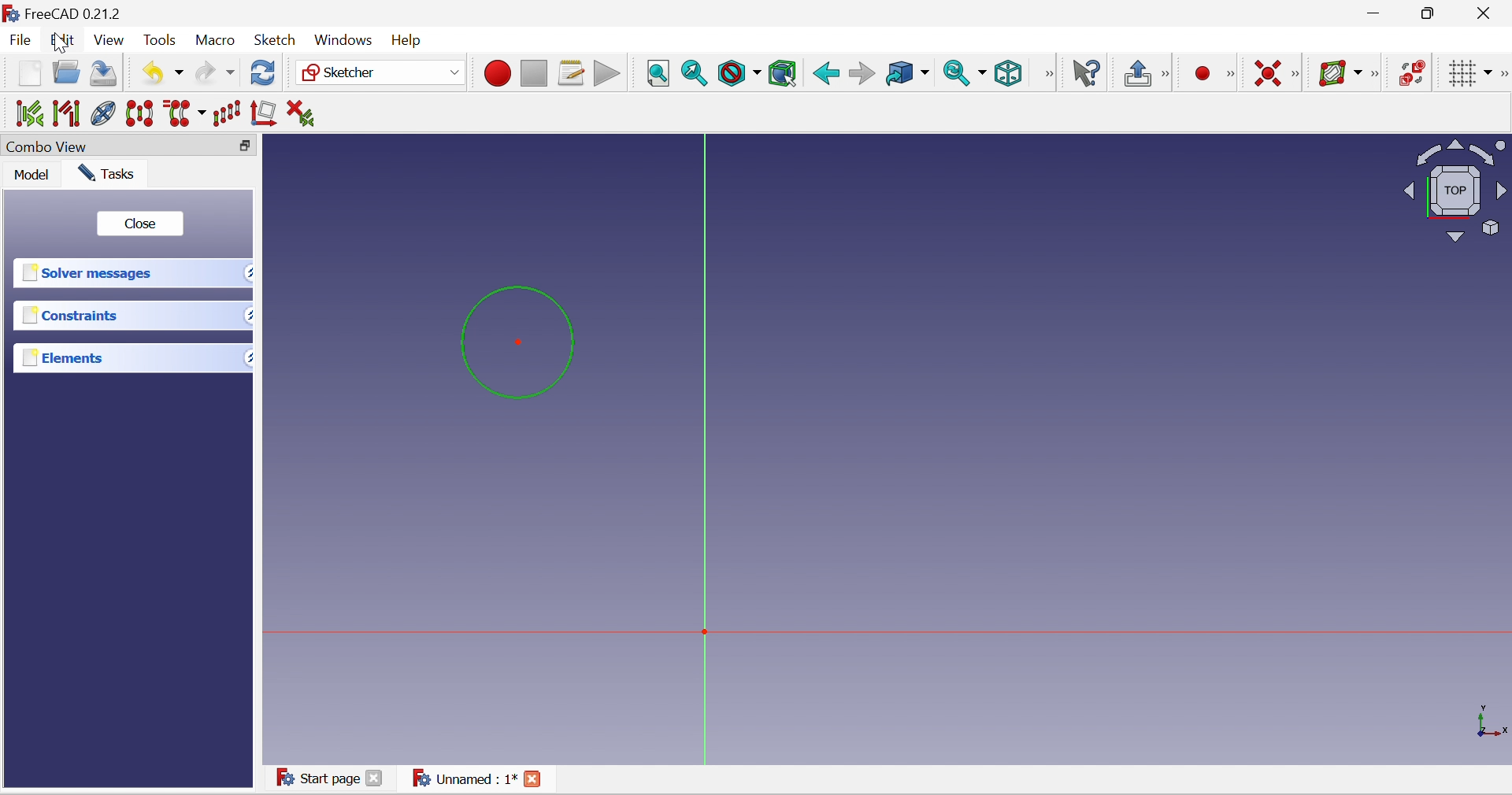  What do you see at coordinates (61, 360) in the screenshot?
I see `Elements` at bounding box center [61, 360].